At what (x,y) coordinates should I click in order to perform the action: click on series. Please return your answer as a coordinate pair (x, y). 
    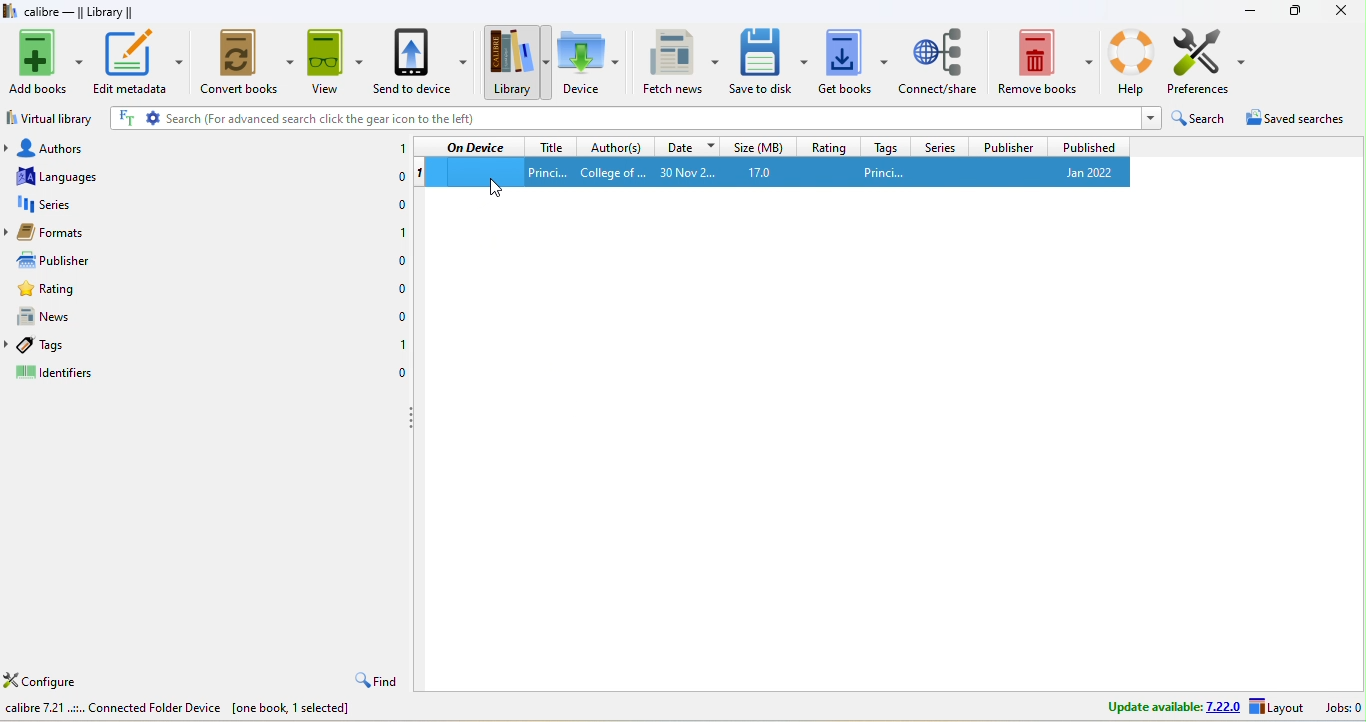
    Looking at the image, I should click on (938, 145).